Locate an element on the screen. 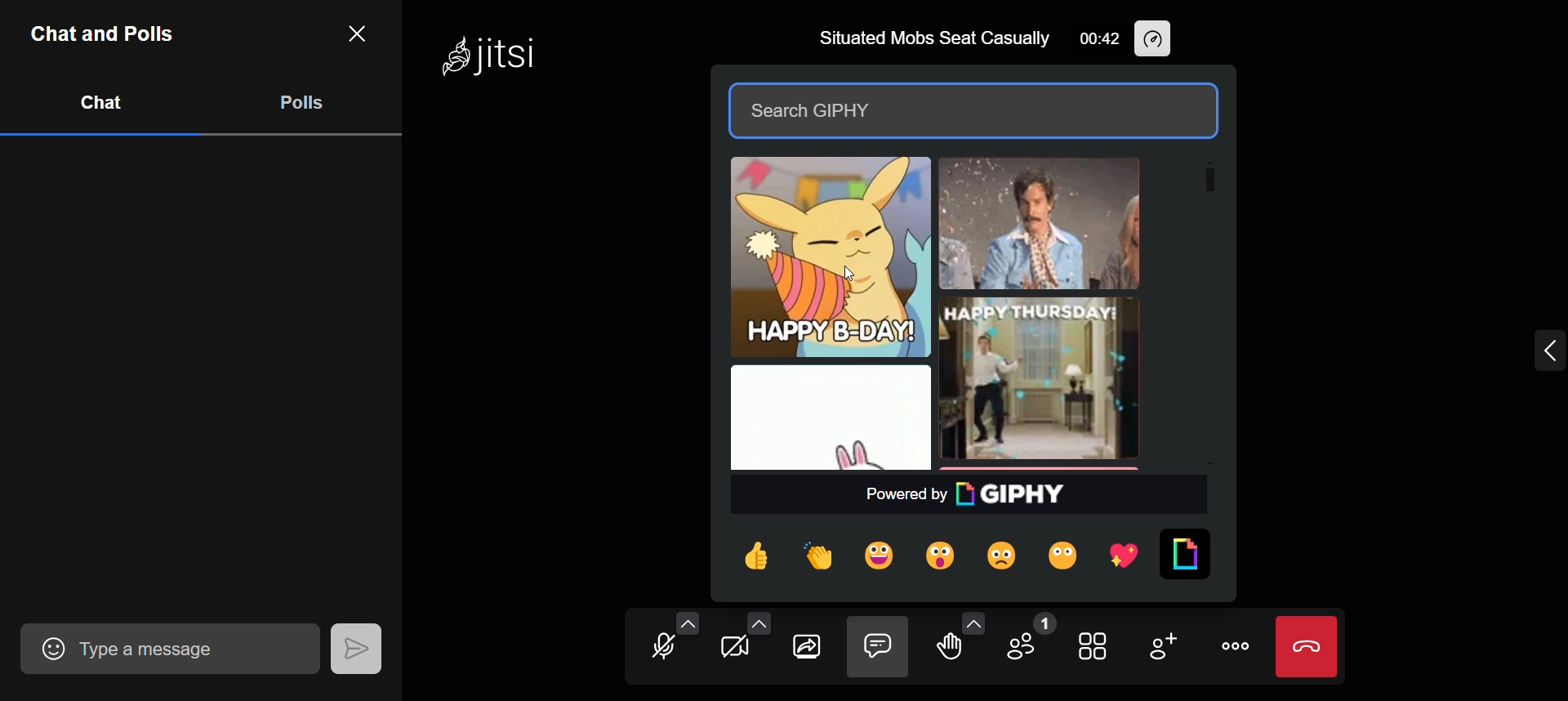  performance setting is located at coordinates (1153, 38).